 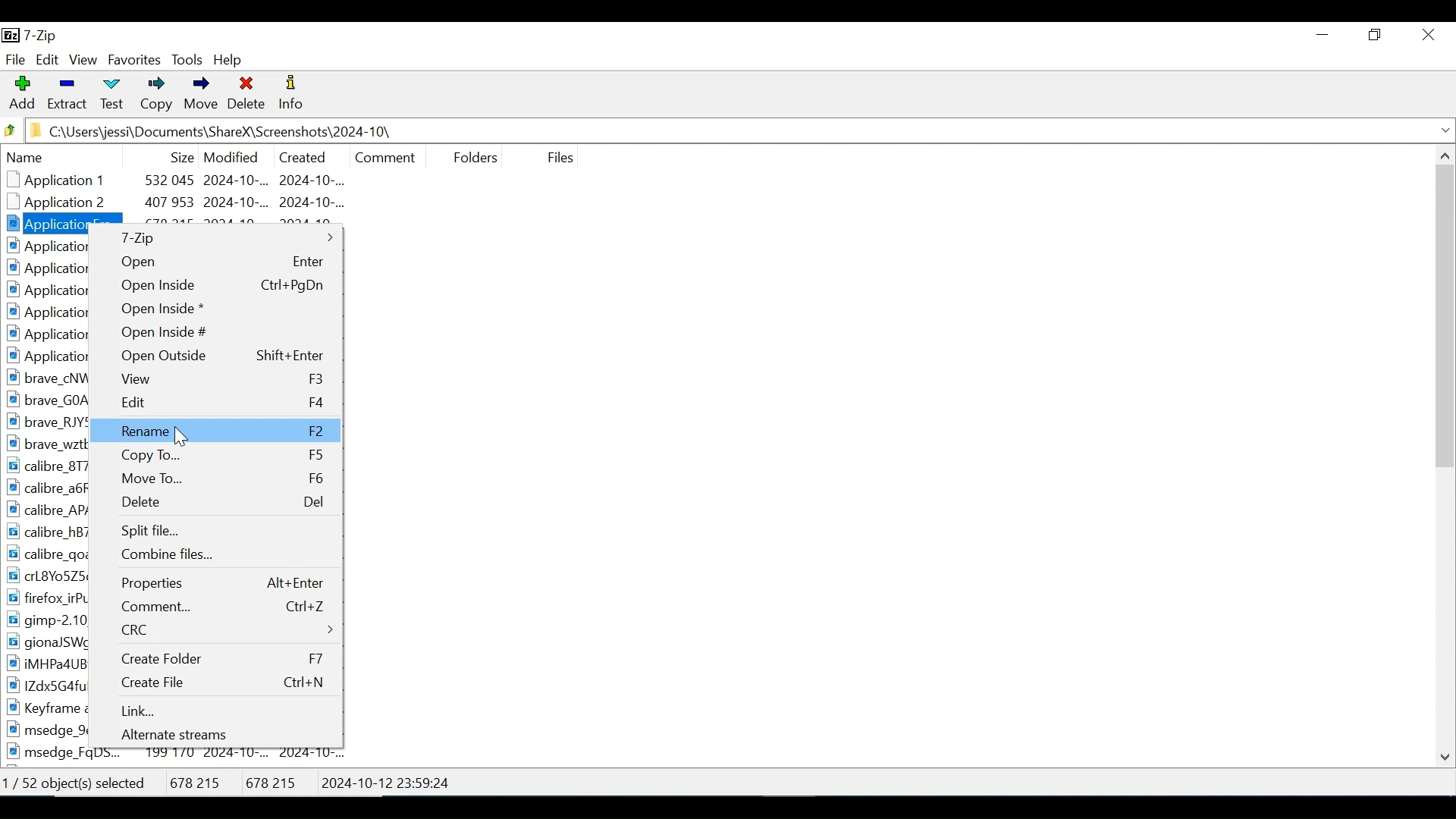 What do you see at coordinates (22, 94) in the screenshot?
I see `Add` at bounding box center [22, 94].